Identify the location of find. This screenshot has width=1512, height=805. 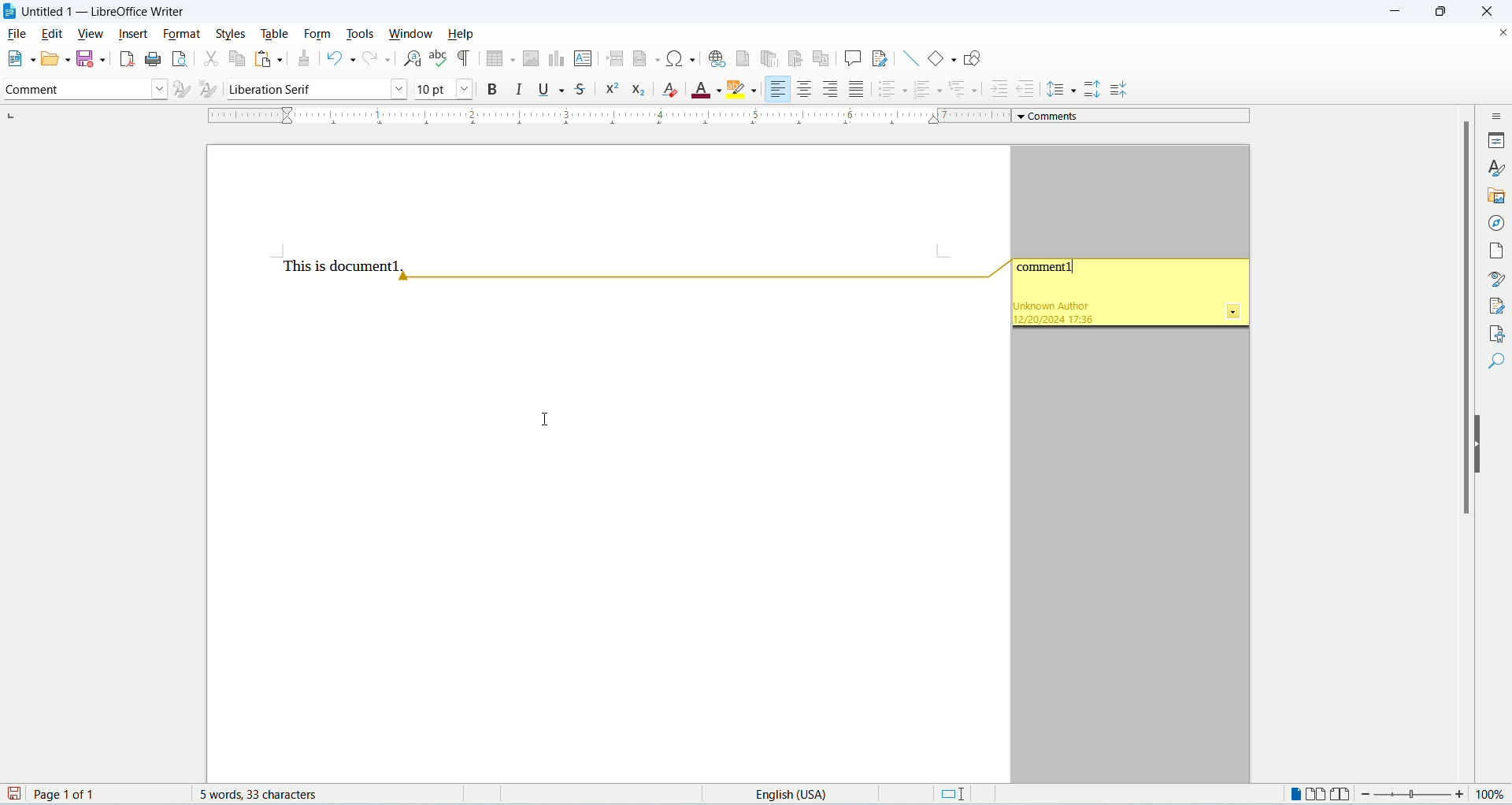
(1495, 360).